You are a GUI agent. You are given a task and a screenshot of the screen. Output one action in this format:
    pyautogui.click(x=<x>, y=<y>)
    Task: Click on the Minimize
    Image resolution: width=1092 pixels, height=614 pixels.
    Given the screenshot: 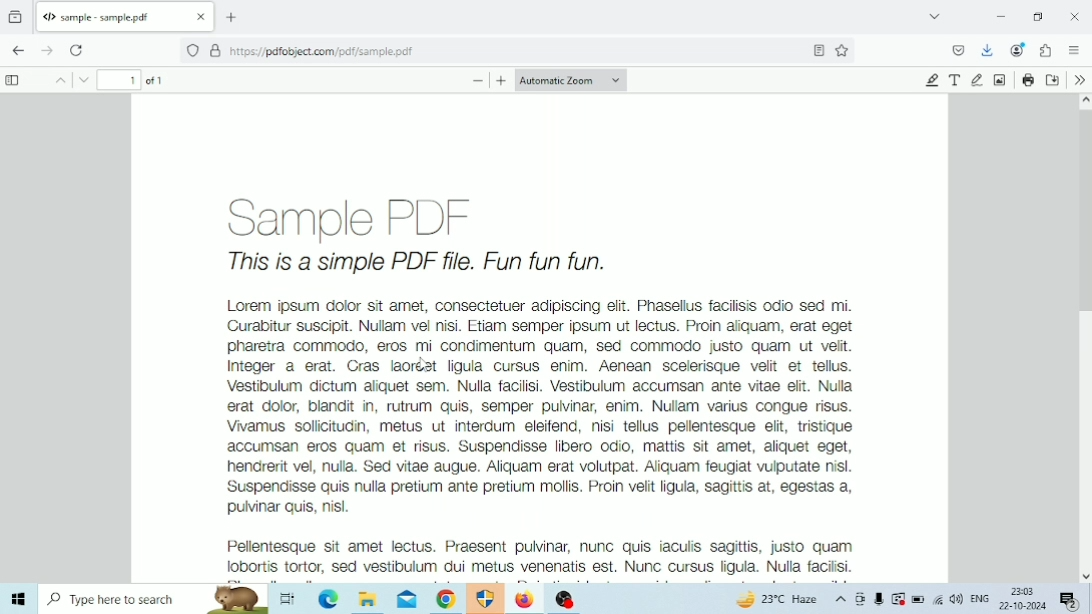 What is the action you would take?
    pyautogui.click(x=1001, y=17)
    